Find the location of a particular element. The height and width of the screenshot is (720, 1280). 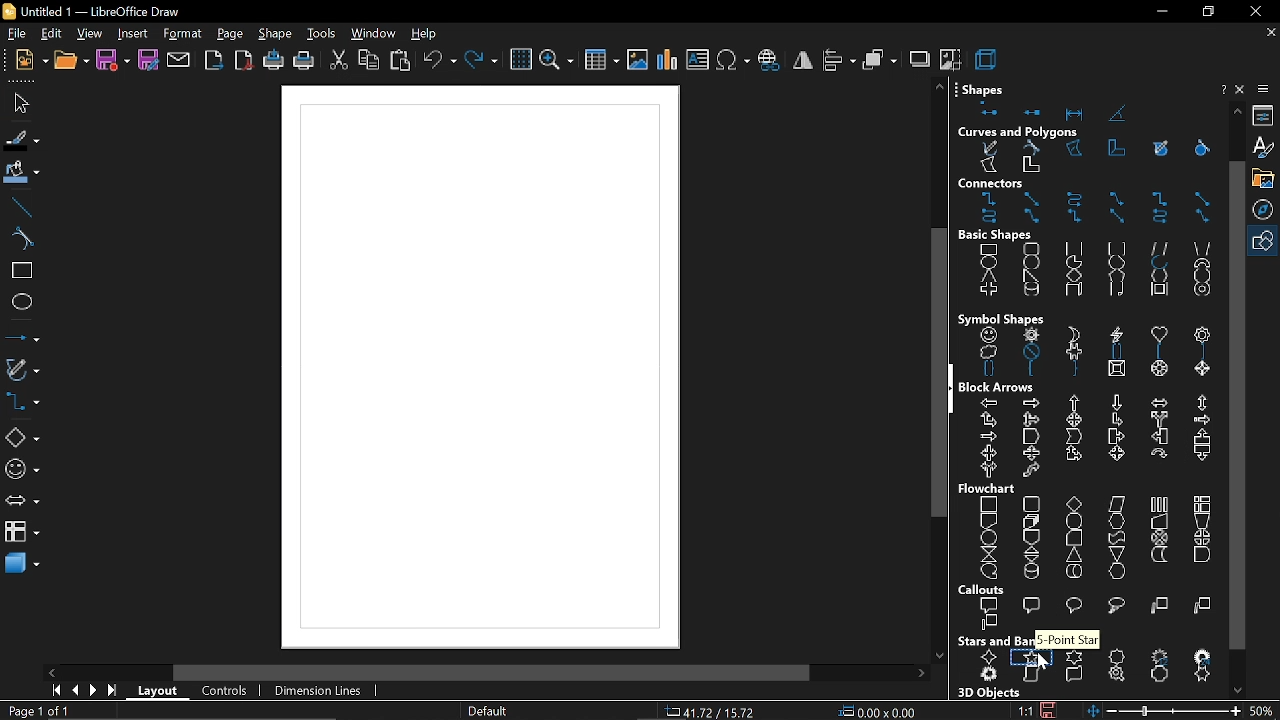

arrange is located at coordinates (880, 61).